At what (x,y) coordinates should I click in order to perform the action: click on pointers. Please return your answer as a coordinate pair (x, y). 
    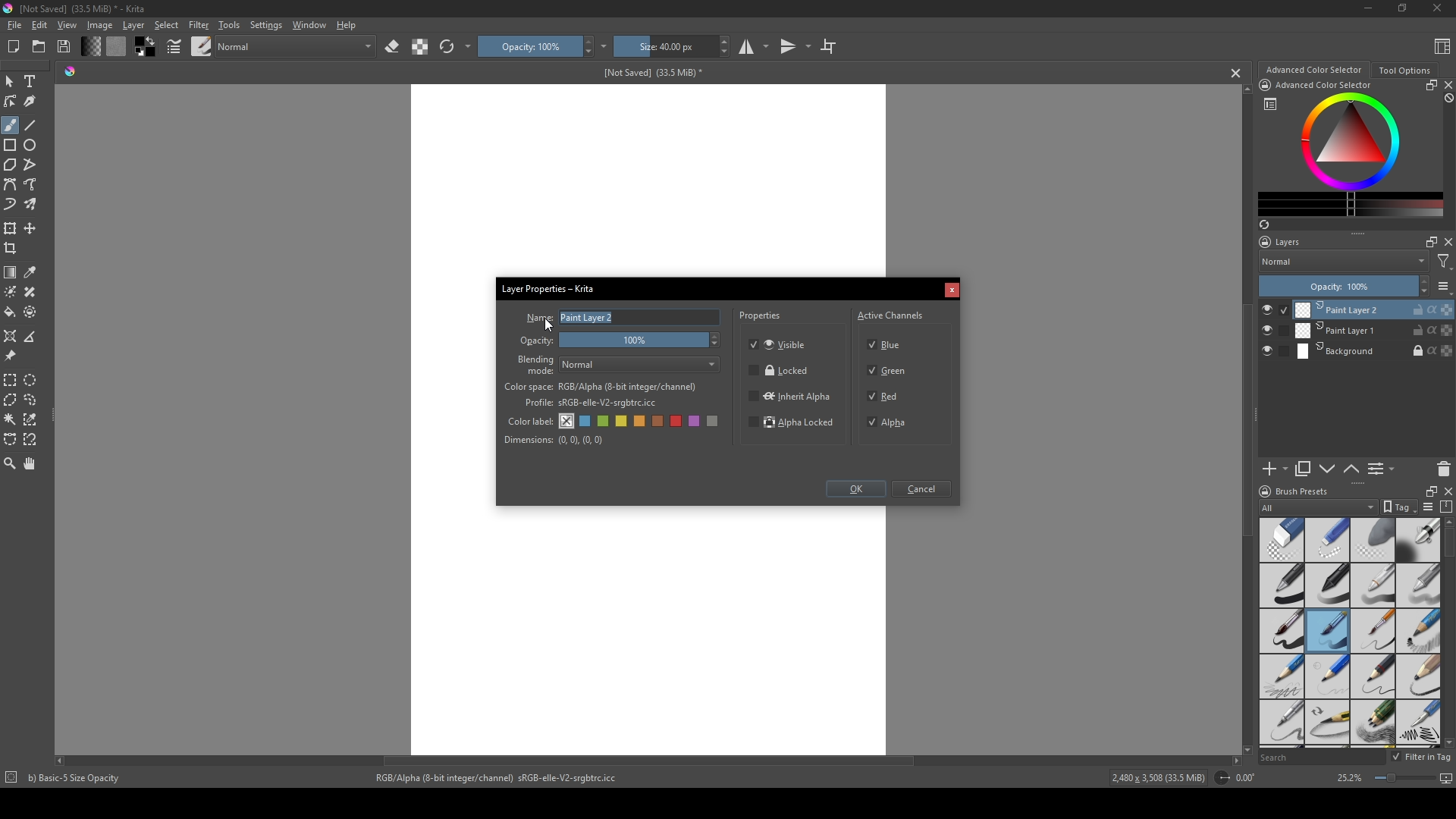
    Looking at the image, I should click on (174, 47).